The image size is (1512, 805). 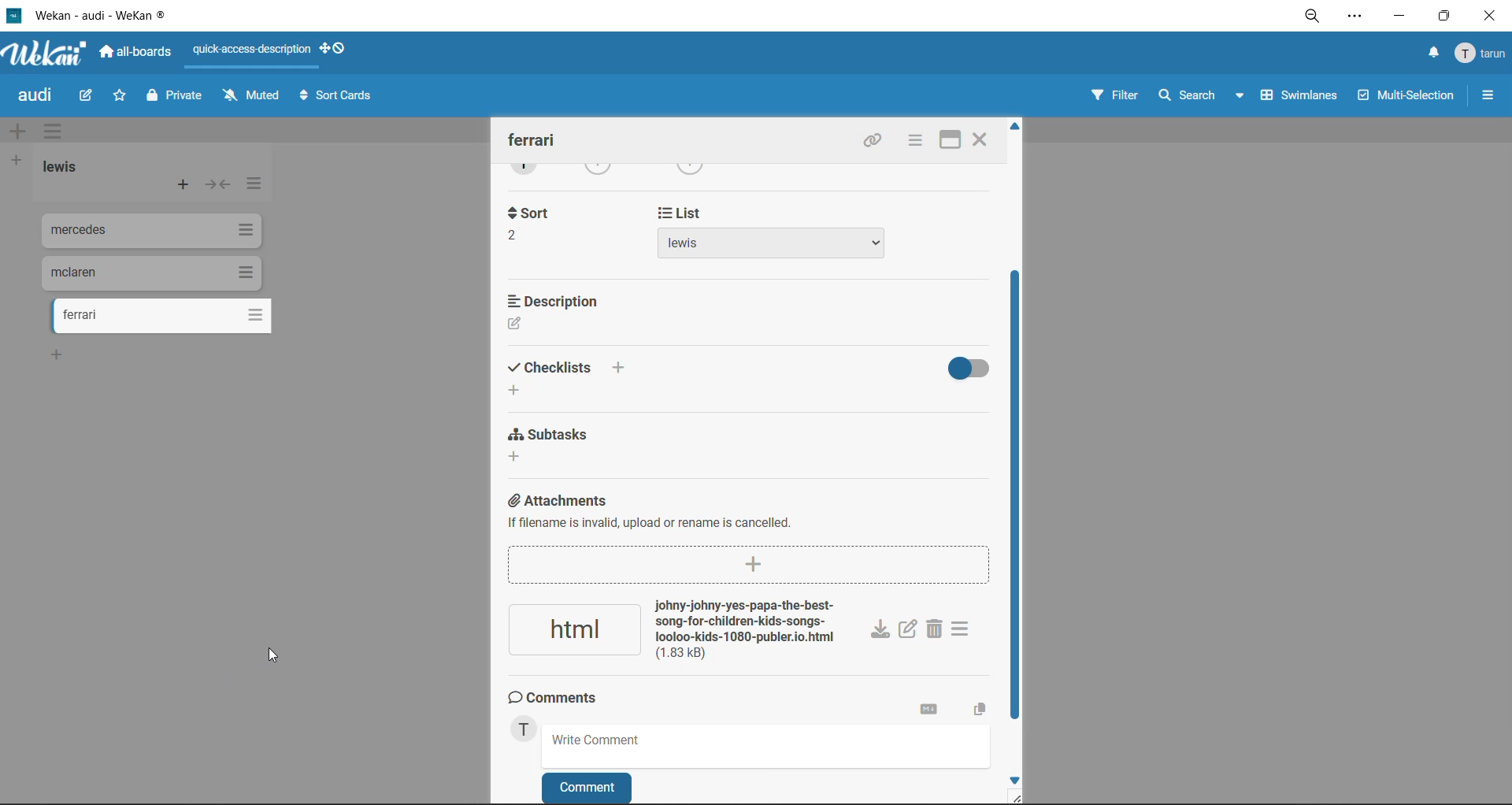 What do you see at coordinates (146, 272) in the screenshot?
I see `cards` at bounding box center [146, 272].